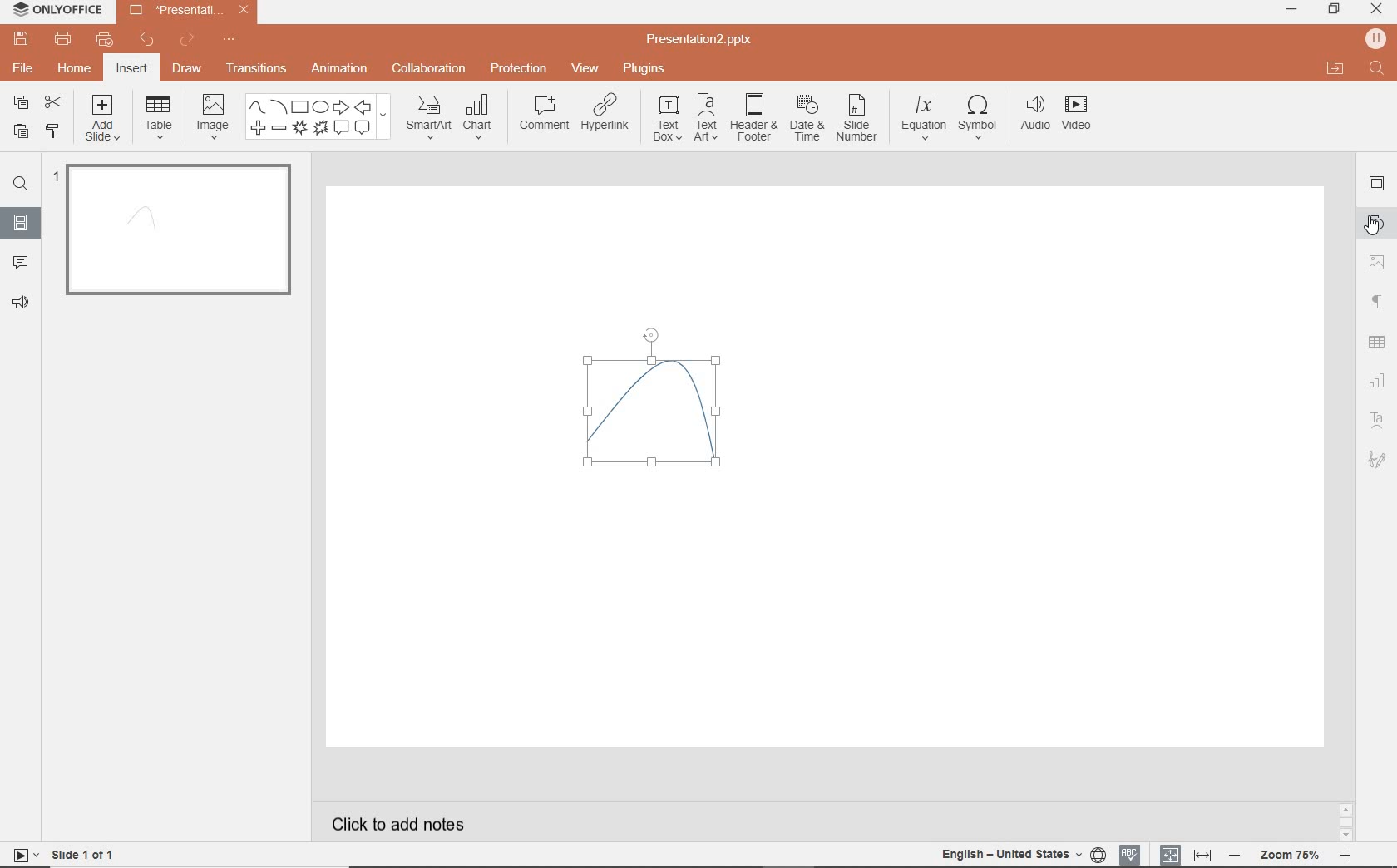  I want to click on VIDEO, so click(1085, 116).